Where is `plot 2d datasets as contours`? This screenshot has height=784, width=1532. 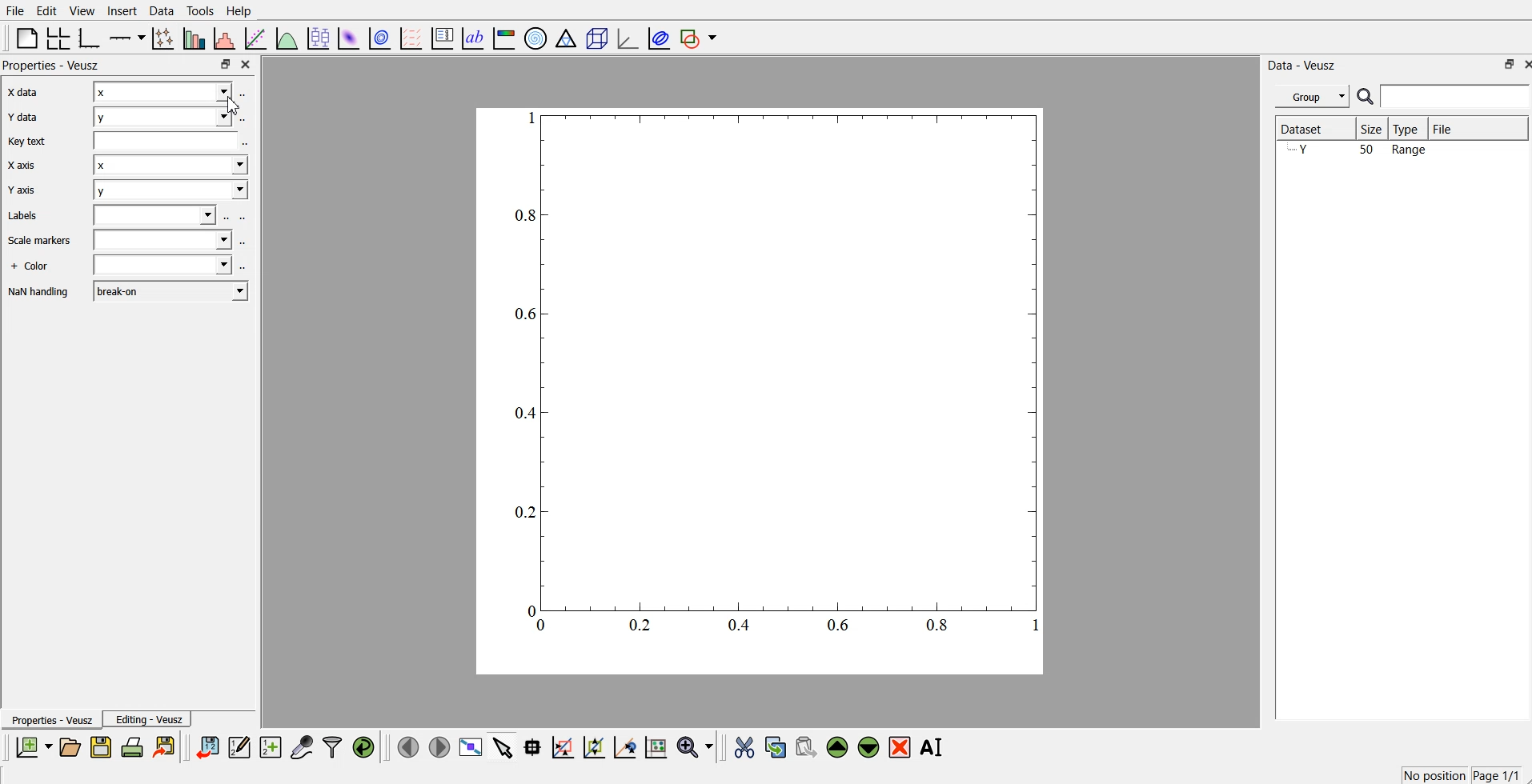 plot 2d datasets as contours is located at coordinates (380, 36).